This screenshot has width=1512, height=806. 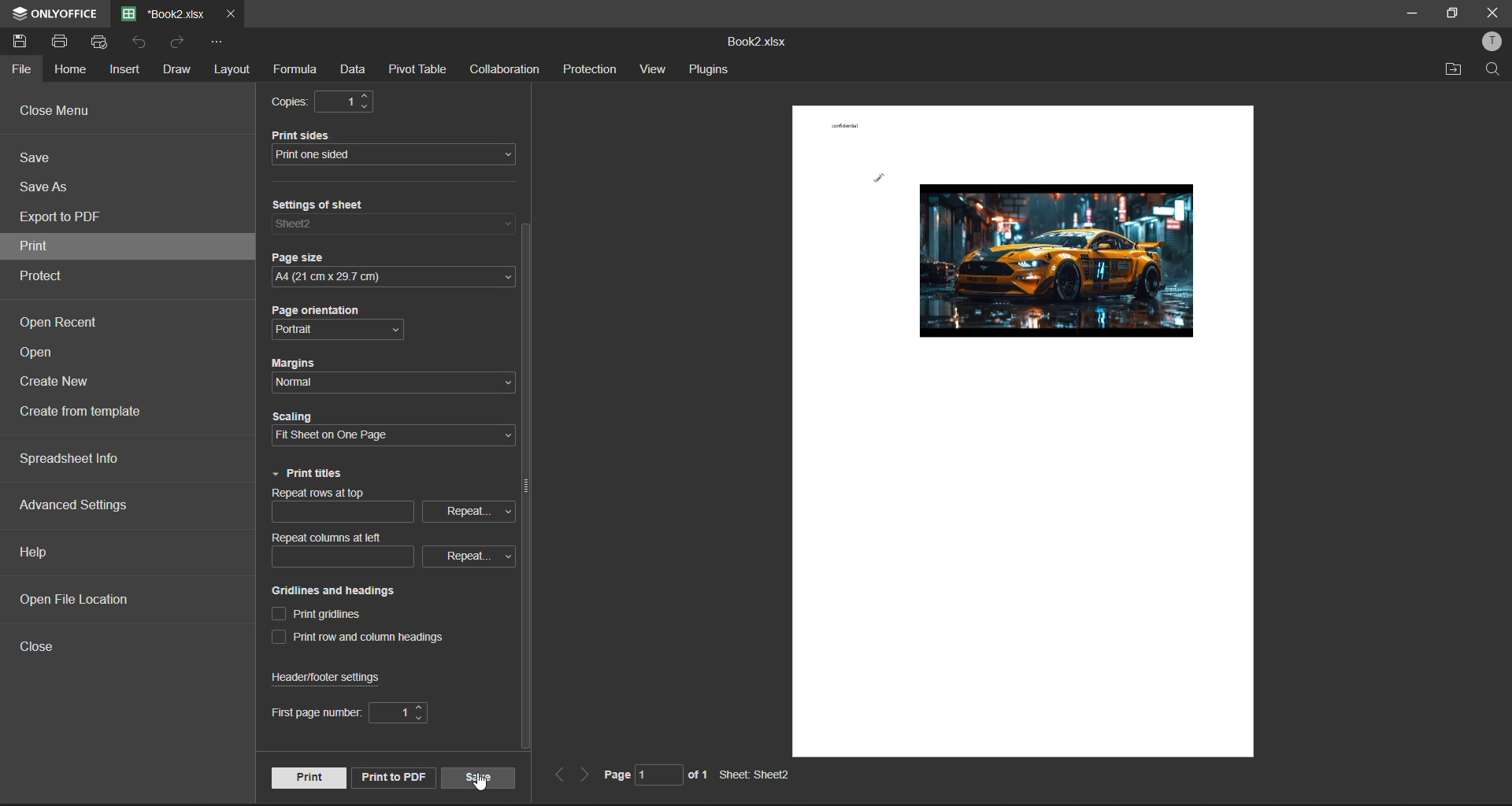 What do you see at coordinates (73, 68) in the screenshot?
I see `home` at bounding box center [73, 68].